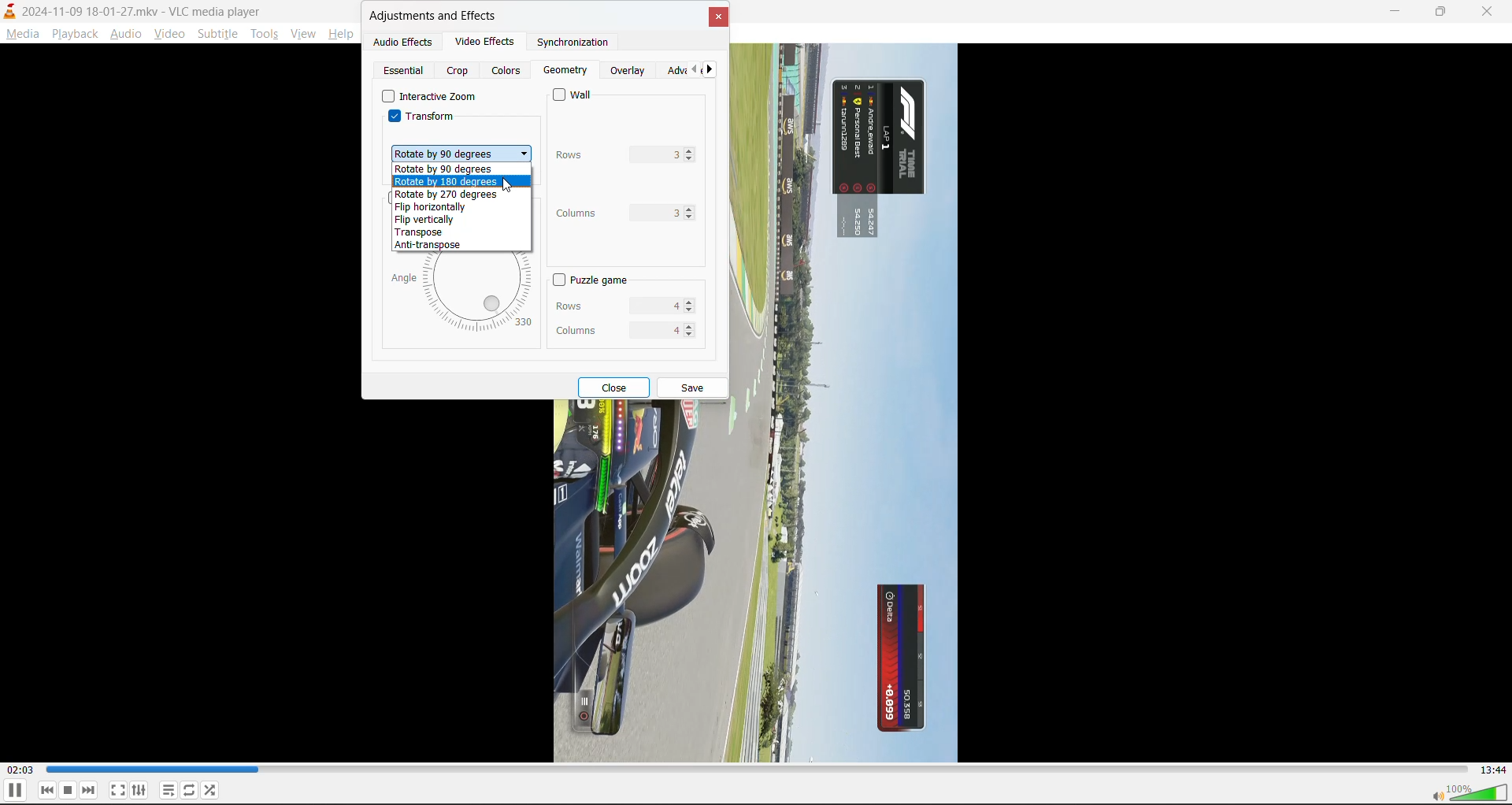  I want to click on transpose, so click(423, 233).